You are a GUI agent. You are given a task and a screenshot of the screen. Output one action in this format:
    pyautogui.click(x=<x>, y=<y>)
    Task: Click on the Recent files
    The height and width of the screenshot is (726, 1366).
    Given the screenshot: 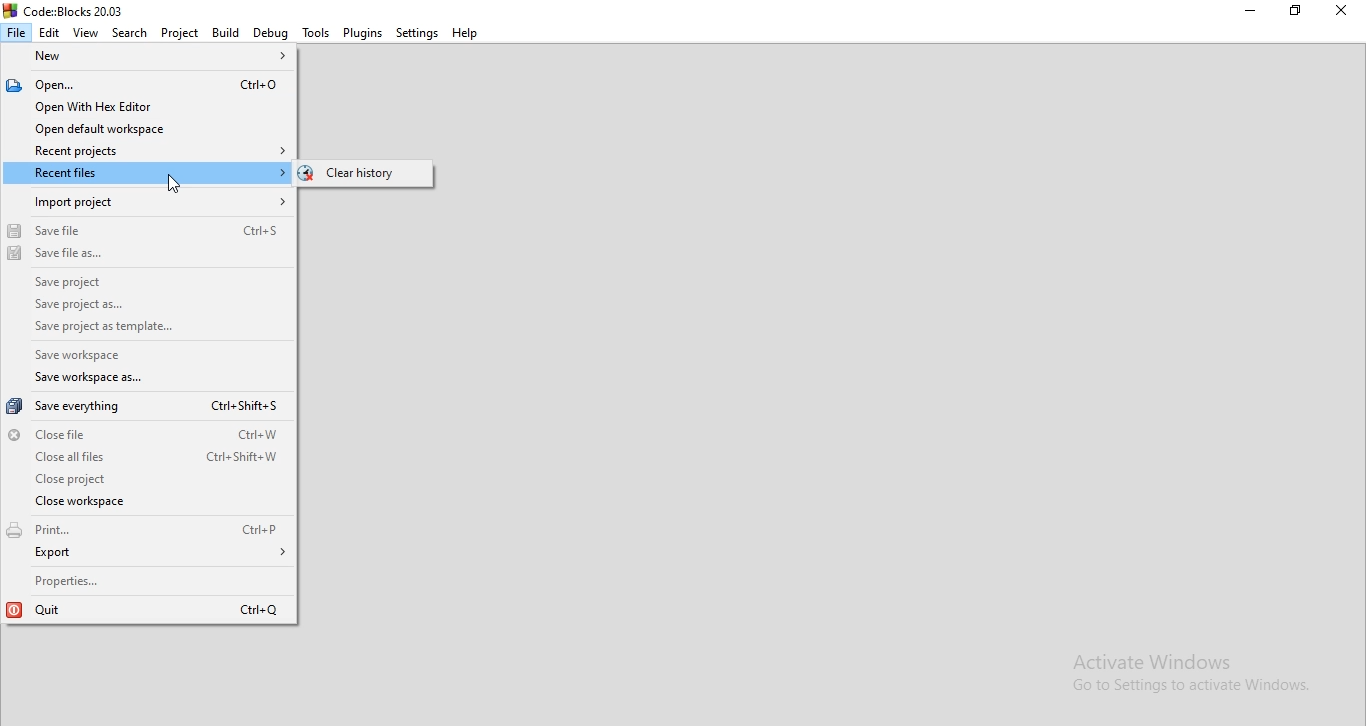 What is the action you would take?
    pyautogui.click(x=146, y=173)
    